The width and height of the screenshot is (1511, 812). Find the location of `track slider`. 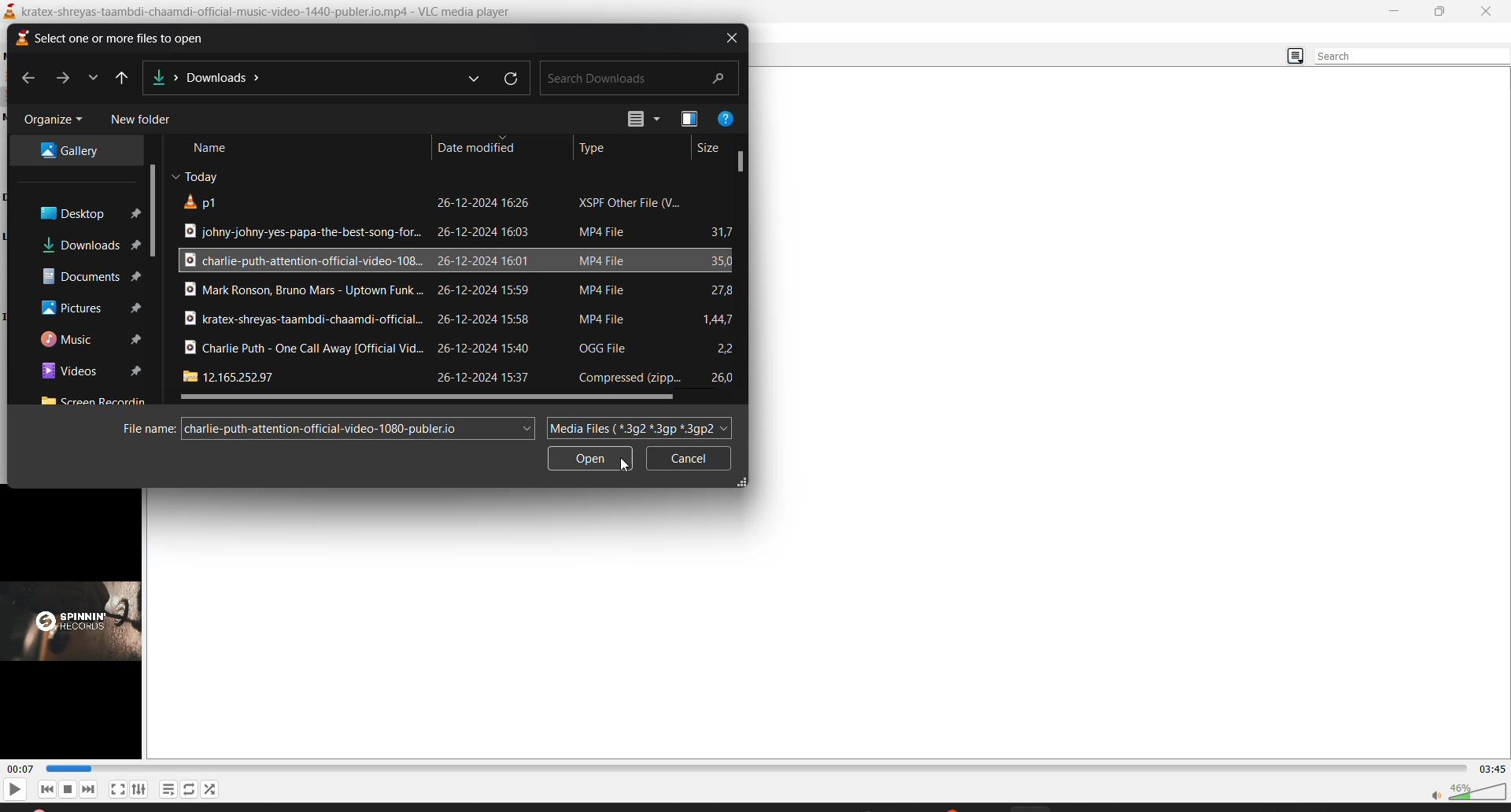

track slider is located at coordinates (759, 770).